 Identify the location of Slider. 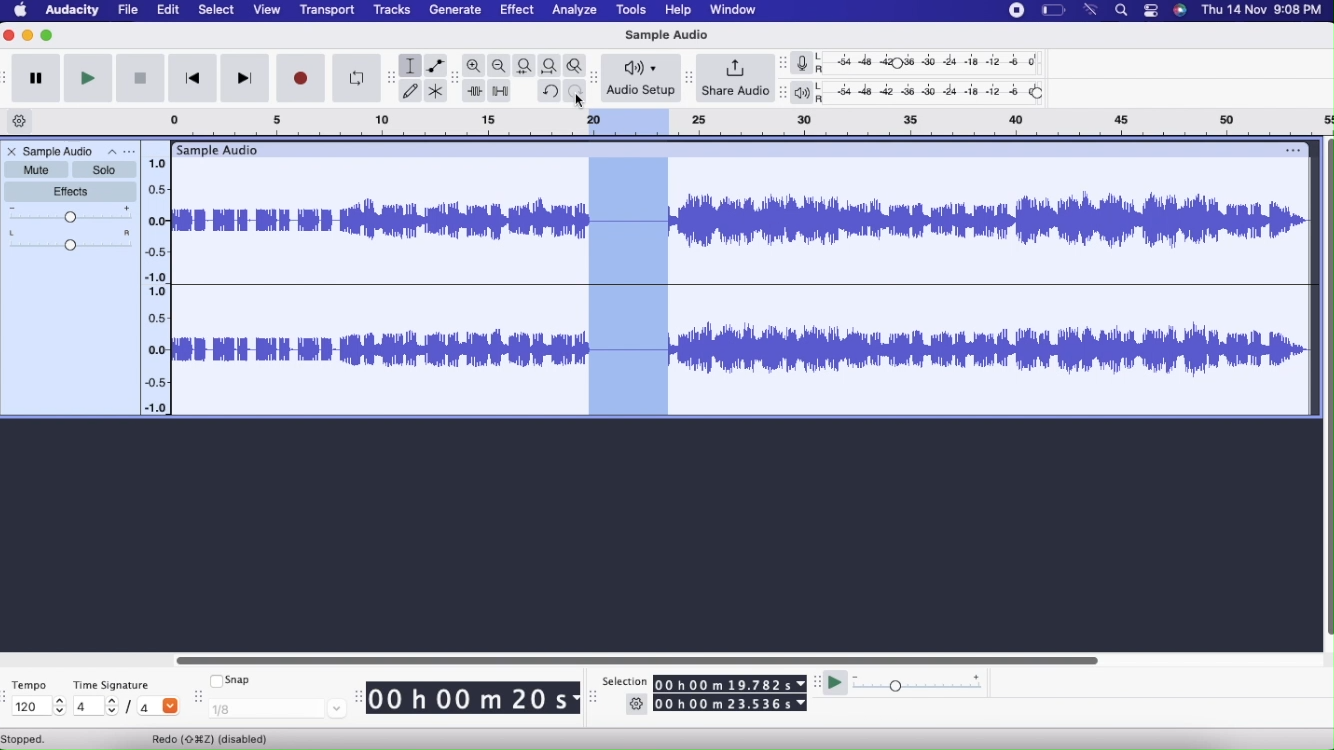
(640, 657).